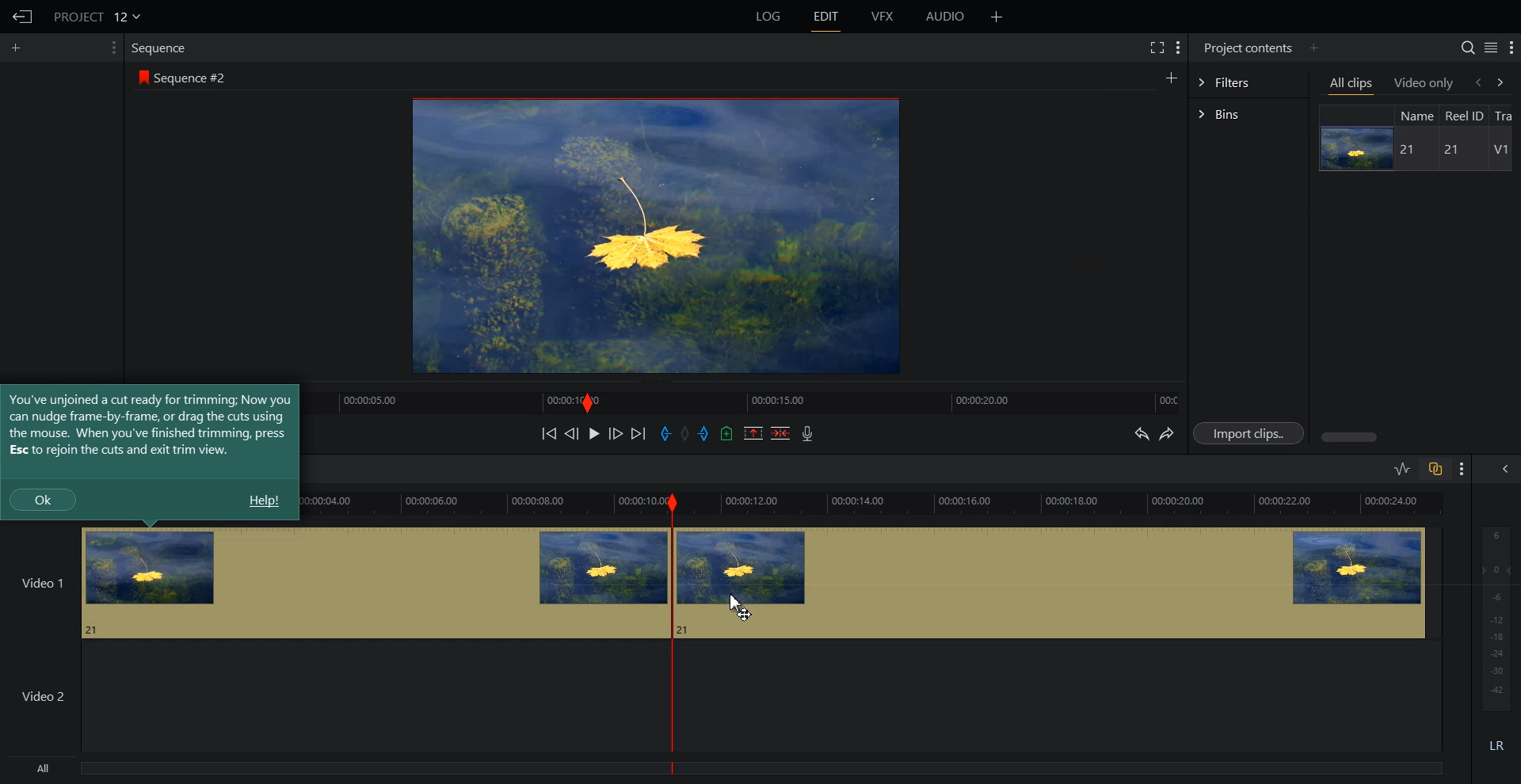 This screenshot has height=784, width=1521. What do you see at coordinates (726, 433) in the screenshot?
I see `Add an Cue at the current position` at bounding box center [726, 433].